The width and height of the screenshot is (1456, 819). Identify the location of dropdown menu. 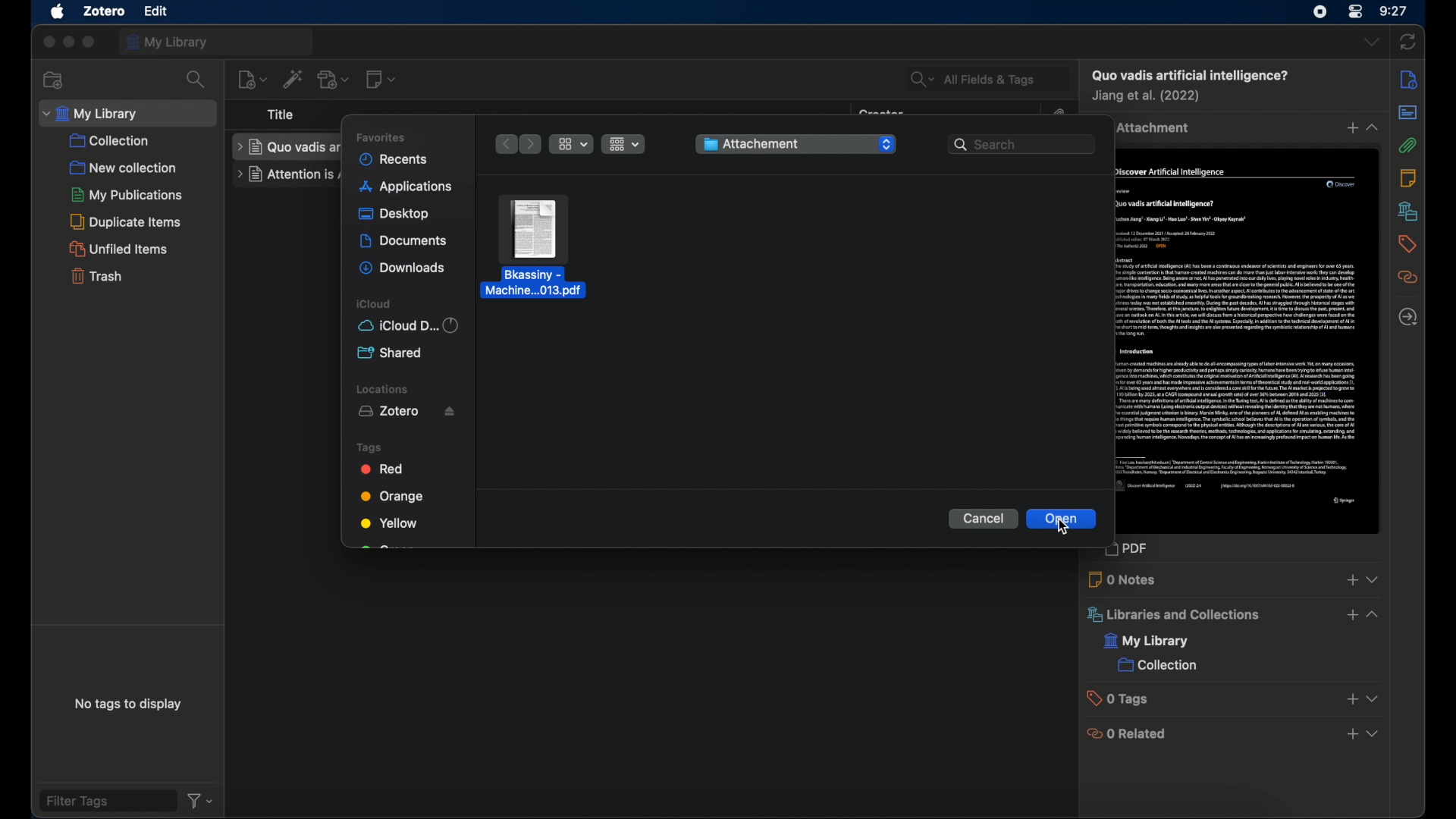
(1373, 127).